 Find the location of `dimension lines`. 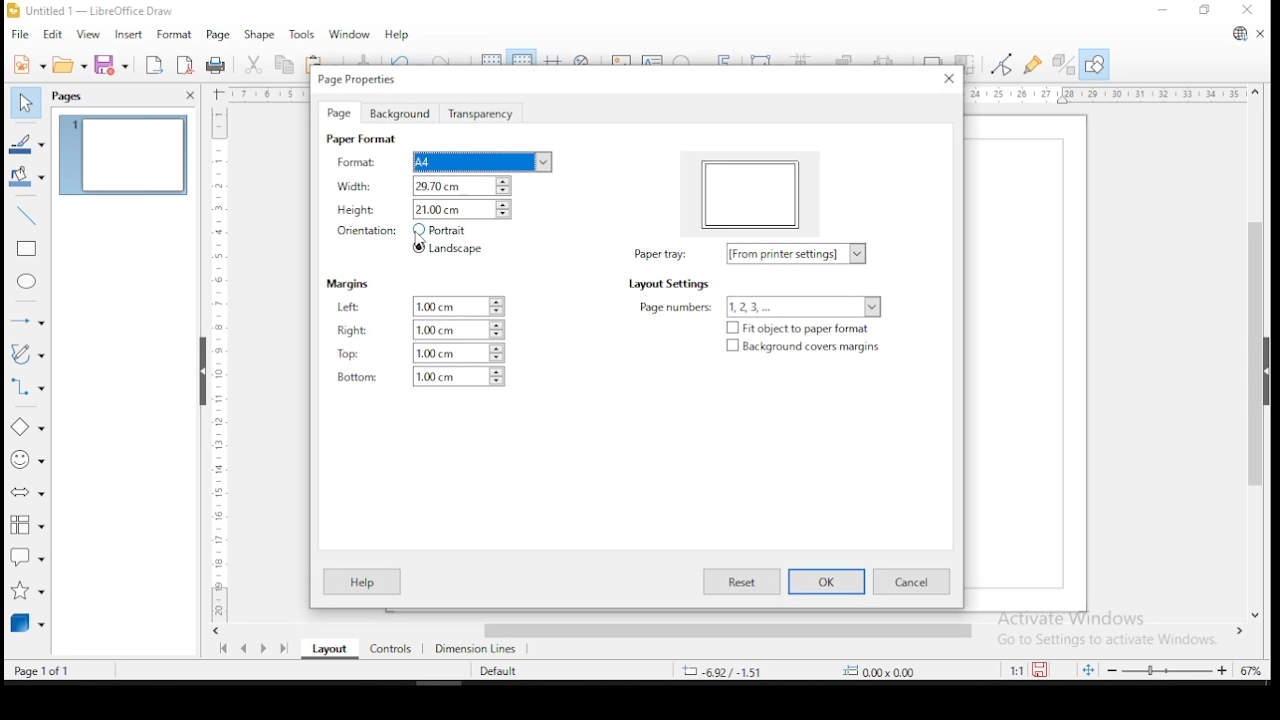

dimension lines is located at coordinates (480, 650).